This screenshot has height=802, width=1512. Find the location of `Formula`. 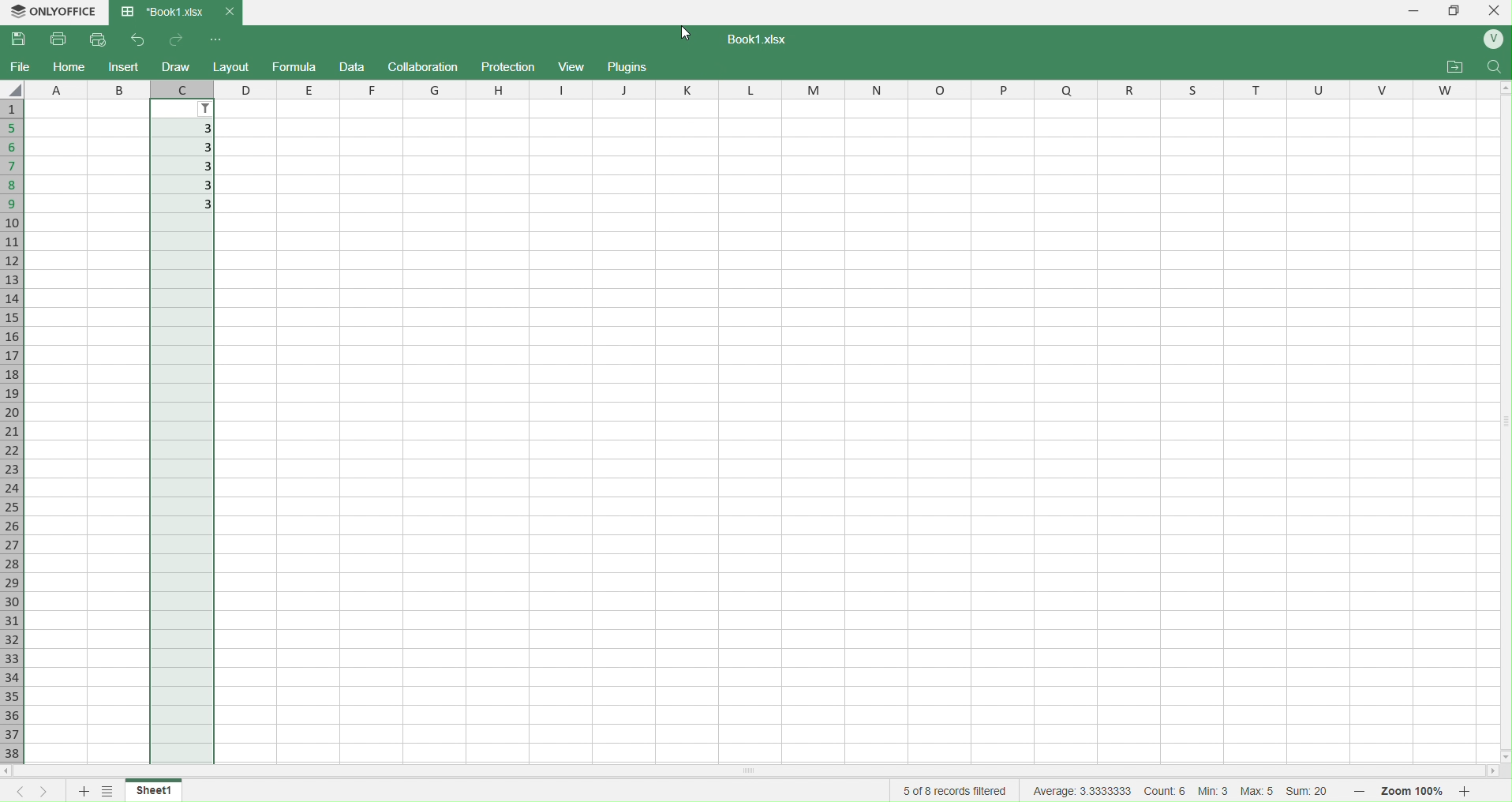

Formula is located at coordinates (294, 66).